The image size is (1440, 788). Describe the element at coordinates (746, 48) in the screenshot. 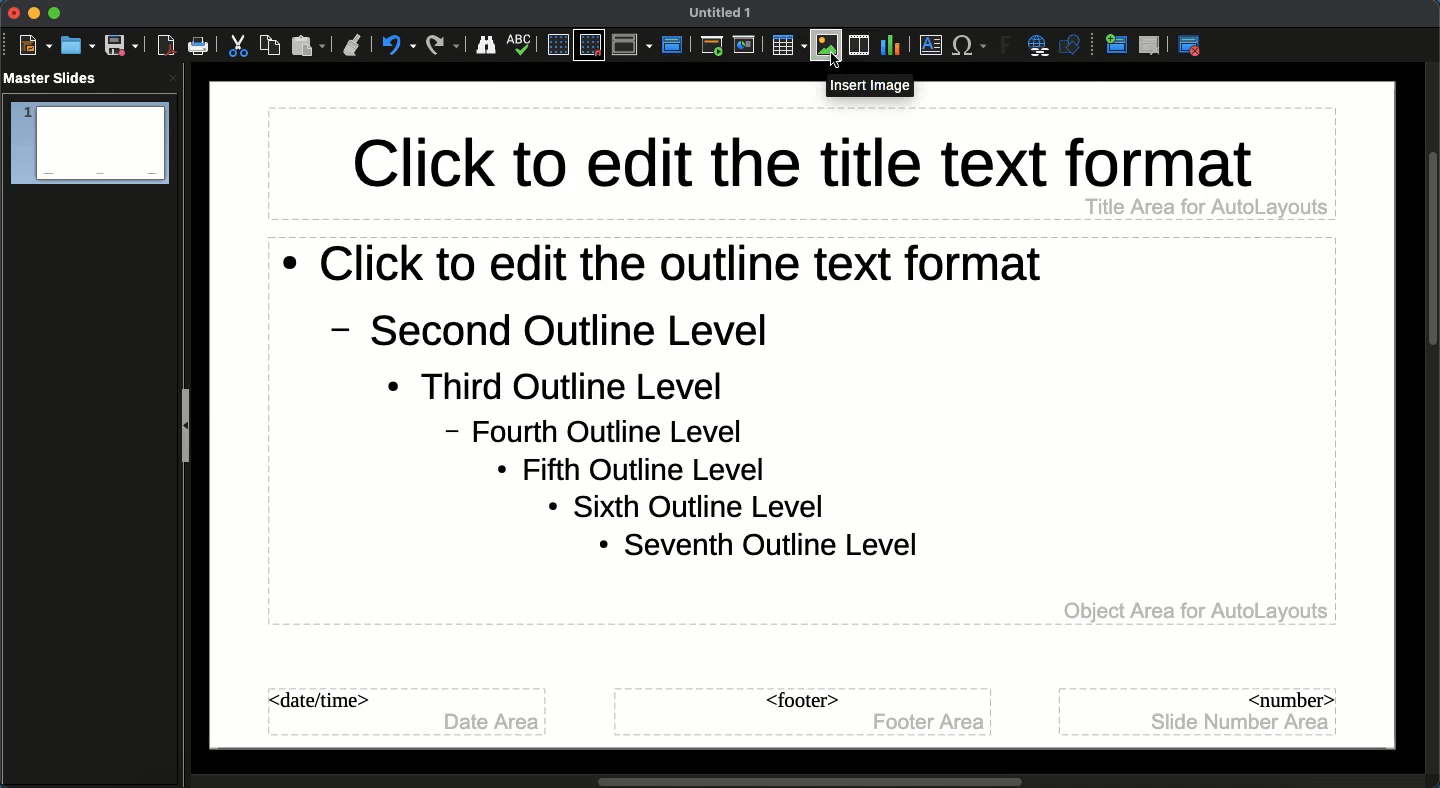

I see `Current slide` at that location.